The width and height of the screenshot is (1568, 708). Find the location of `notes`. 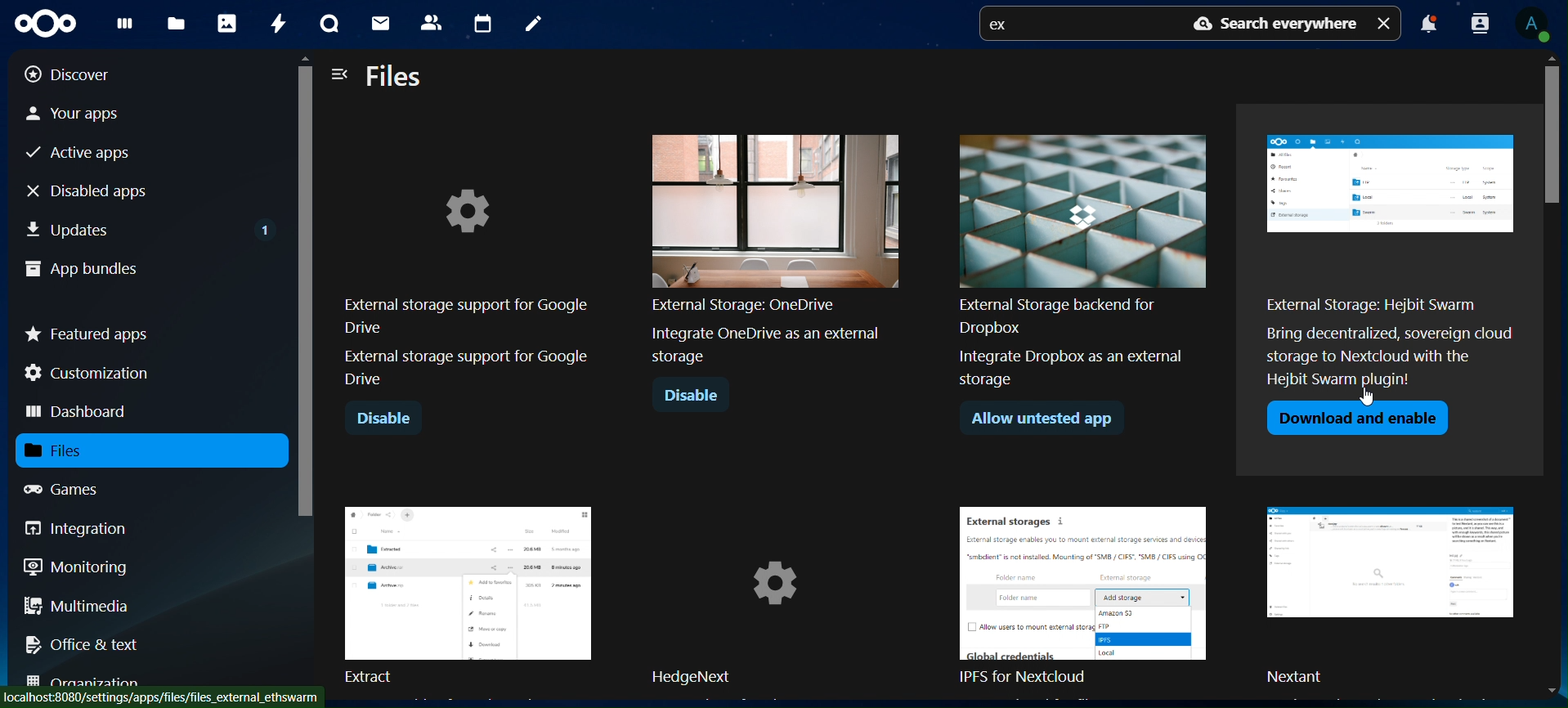

notes is located at coordinates (531, 25).